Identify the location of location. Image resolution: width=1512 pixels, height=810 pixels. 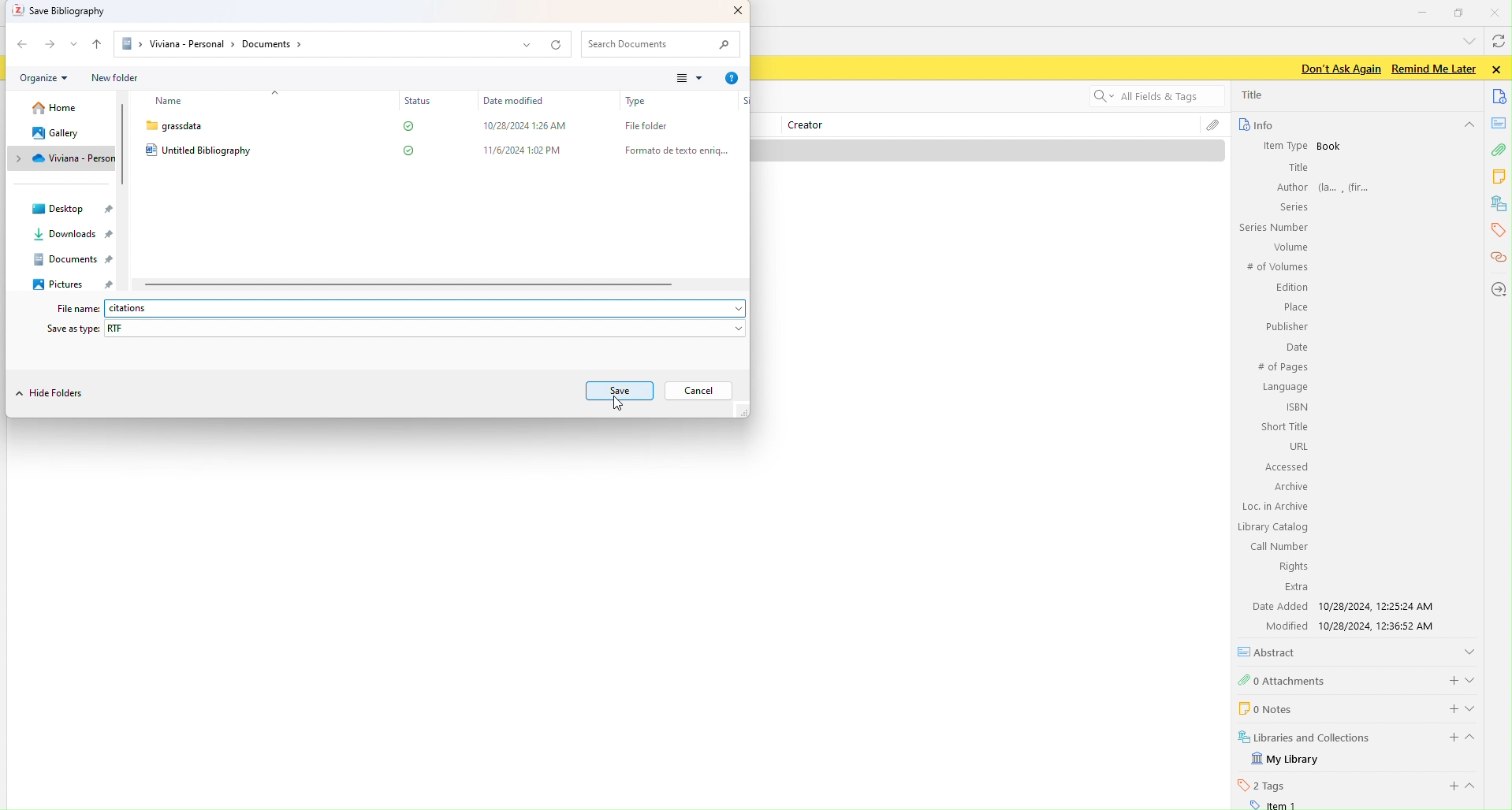
(1497, 288).